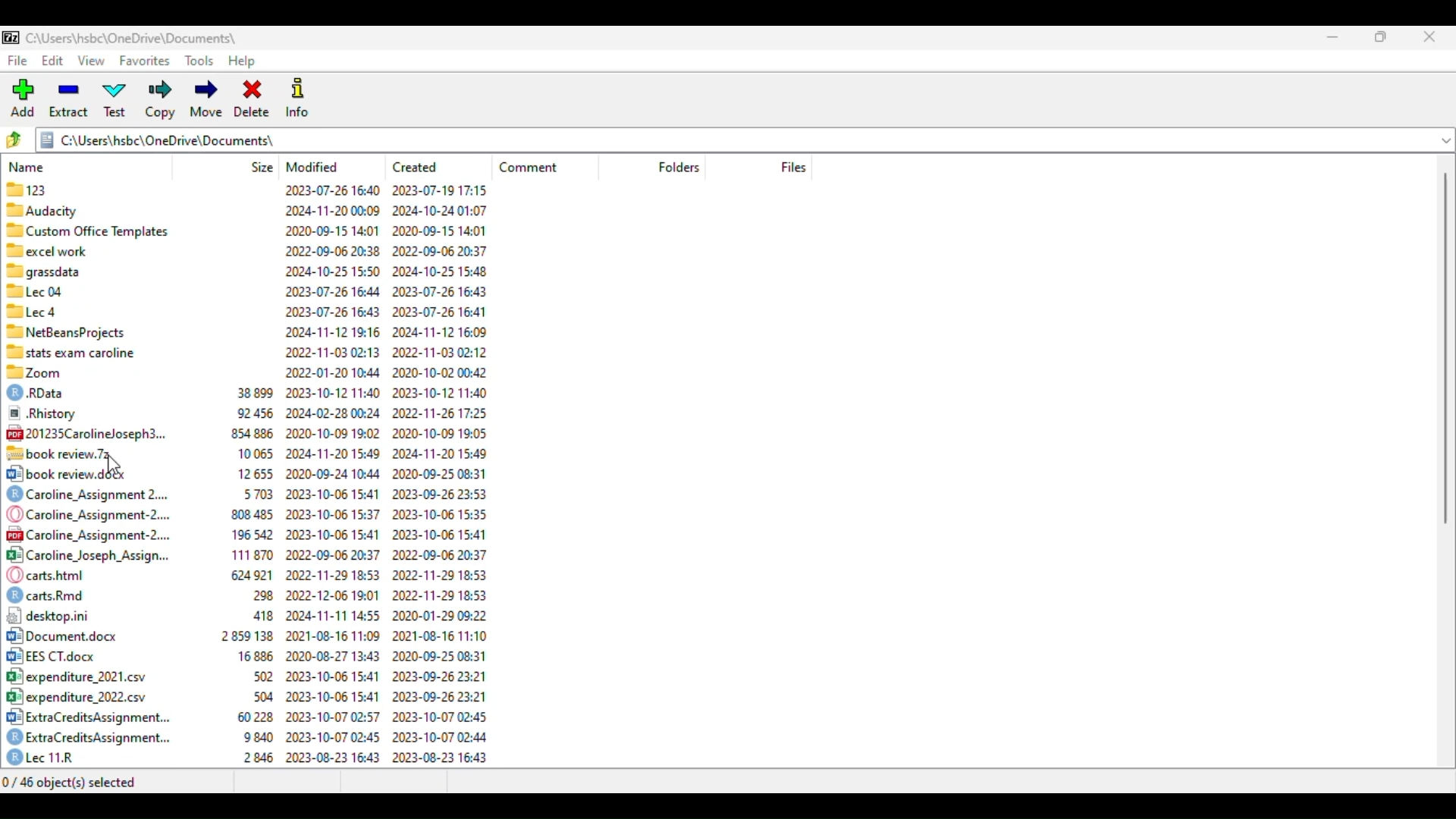 This screenshot has width=1456, height=819. I want to click on info, so click(297, 96).